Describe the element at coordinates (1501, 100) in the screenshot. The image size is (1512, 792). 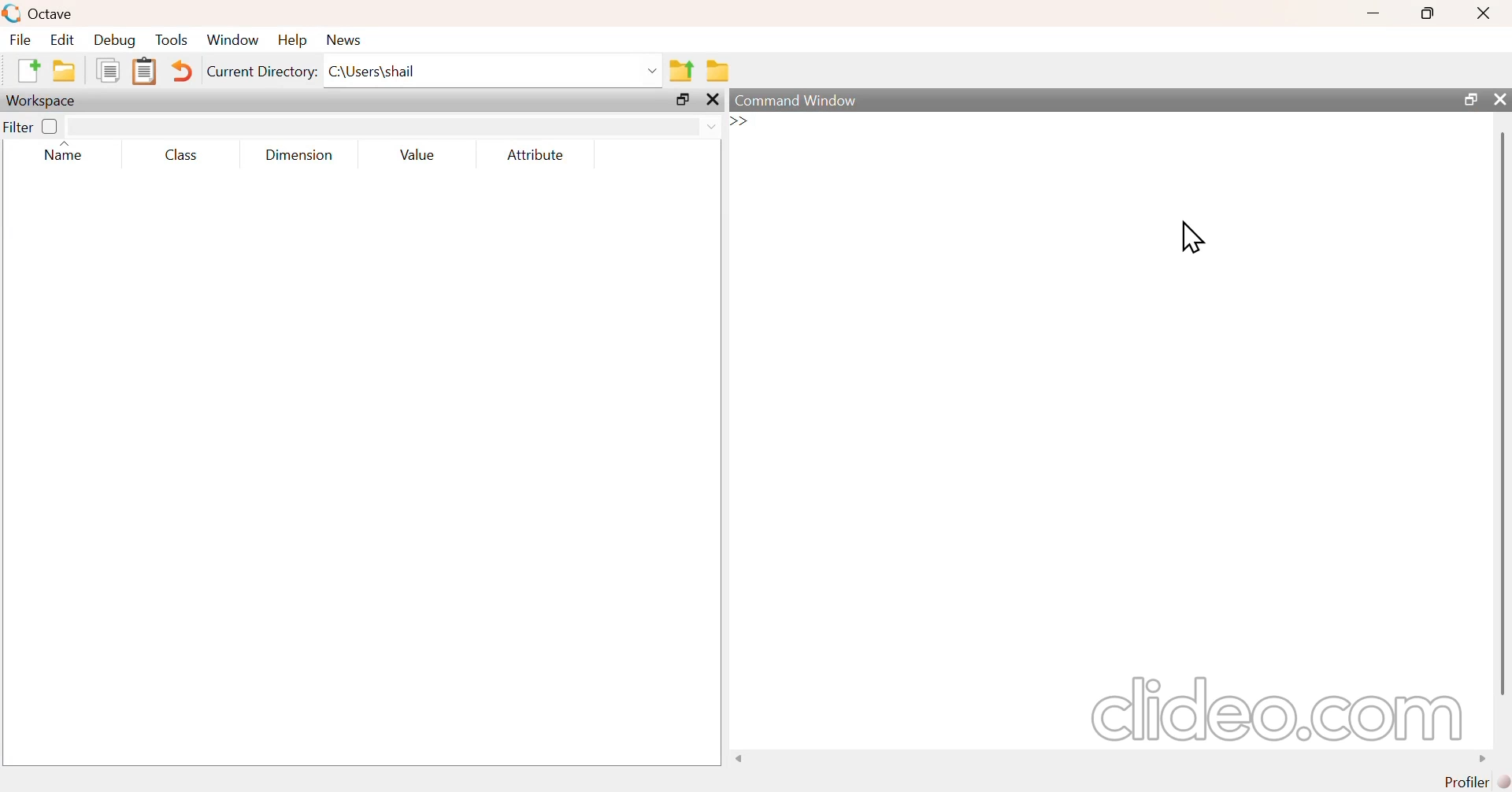
I see `close` at that location.